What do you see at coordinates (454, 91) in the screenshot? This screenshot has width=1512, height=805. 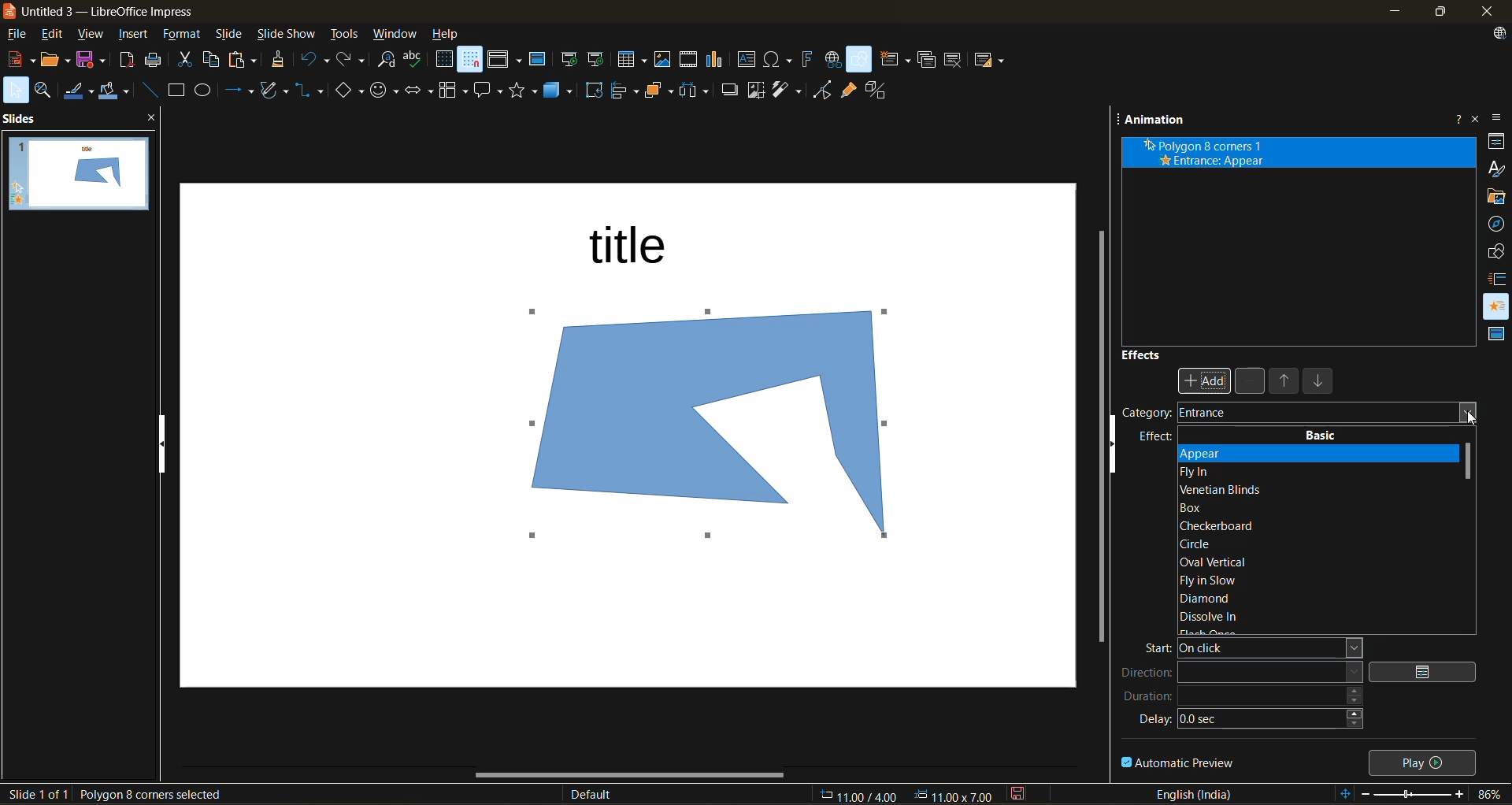 I see `flowchart` at bounding box center [454, 91].